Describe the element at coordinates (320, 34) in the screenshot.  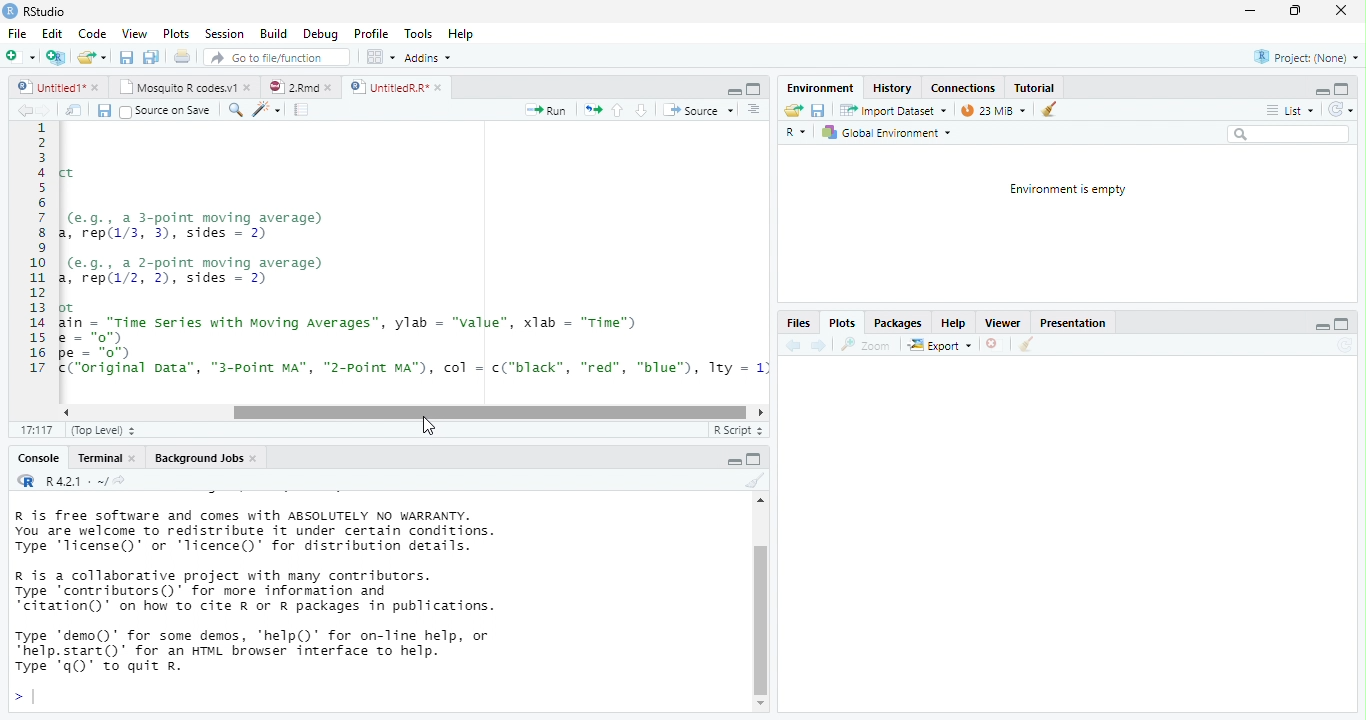
I see `Debug` at that location.